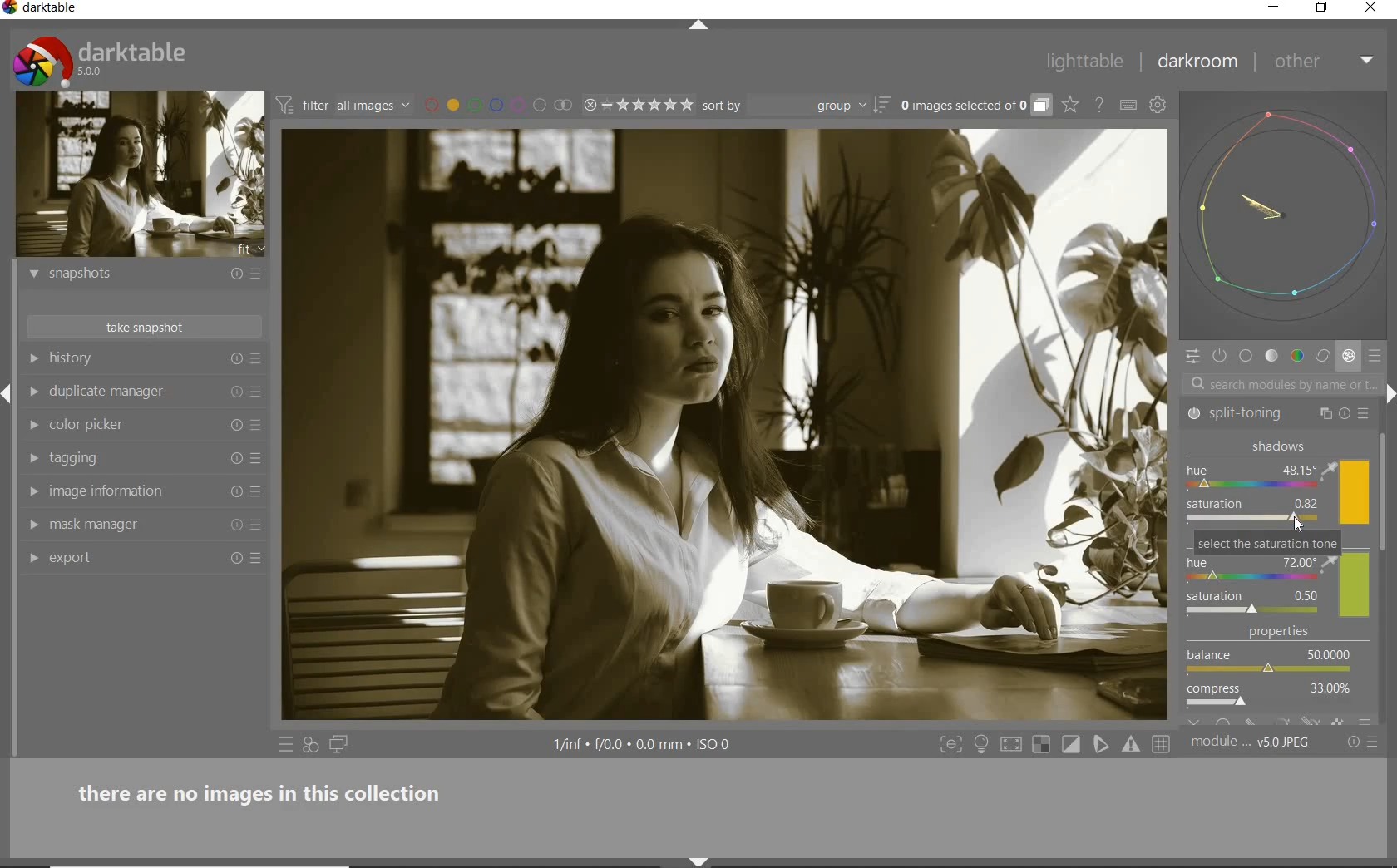 Image resolution: width=1397 pixels, height=868 pixels. What do you see at coordinates (1325, 412) in the screenshot?
I see `multiple instance actions` at bounding box center [1325, 412].